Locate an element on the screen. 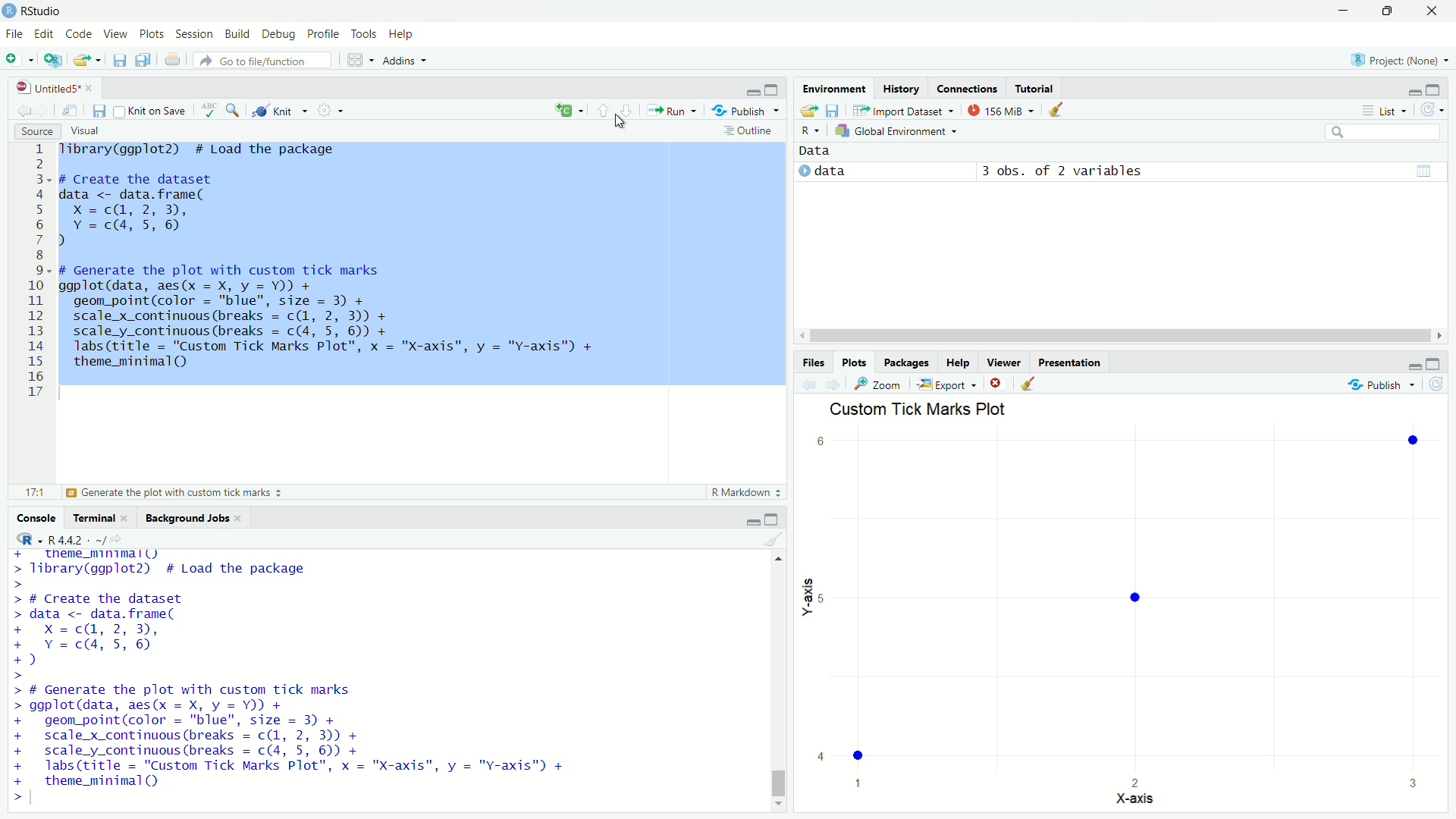 The height and width of the screenshot is (819, 1456). view the current working directory is located at coordinates (127, 538).